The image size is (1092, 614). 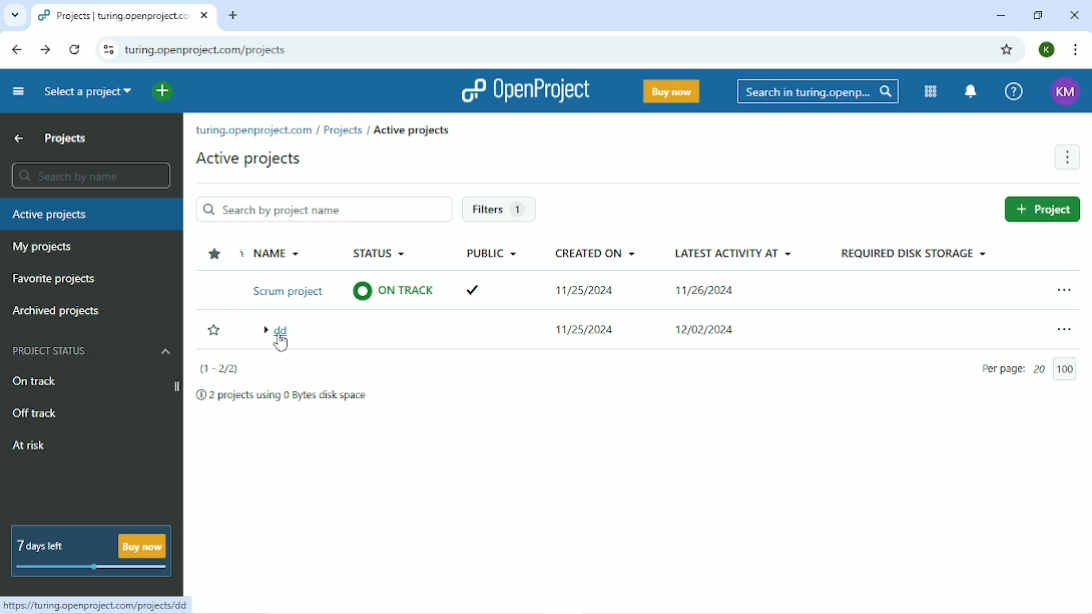 What do you see at coordinates (21, 138) in the screenshot?
I see `Up` at bounding box center [21, 138].